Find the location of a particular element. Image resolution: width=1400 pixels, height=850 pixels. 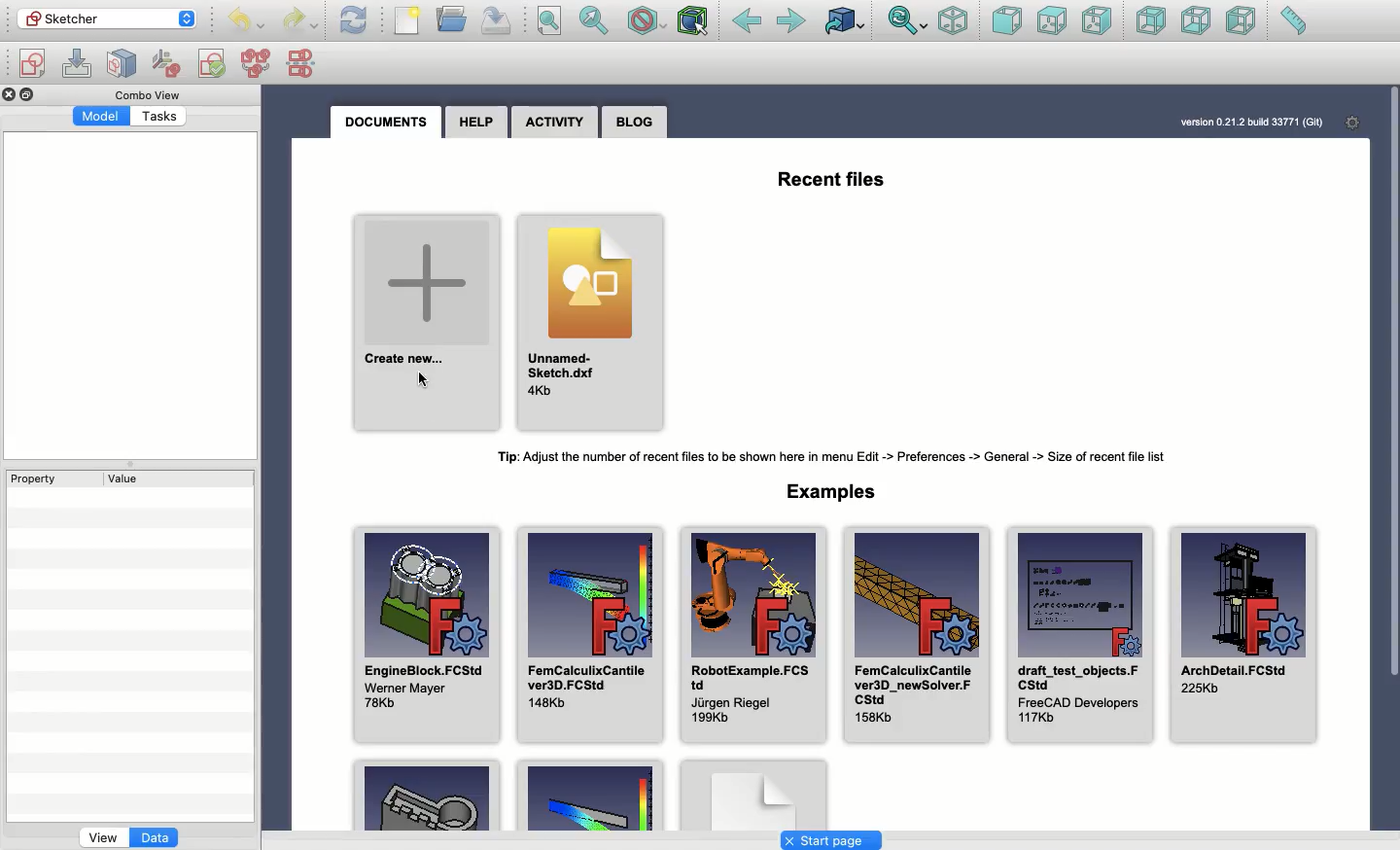

Validate sketch is located at coordinates (212, 66).